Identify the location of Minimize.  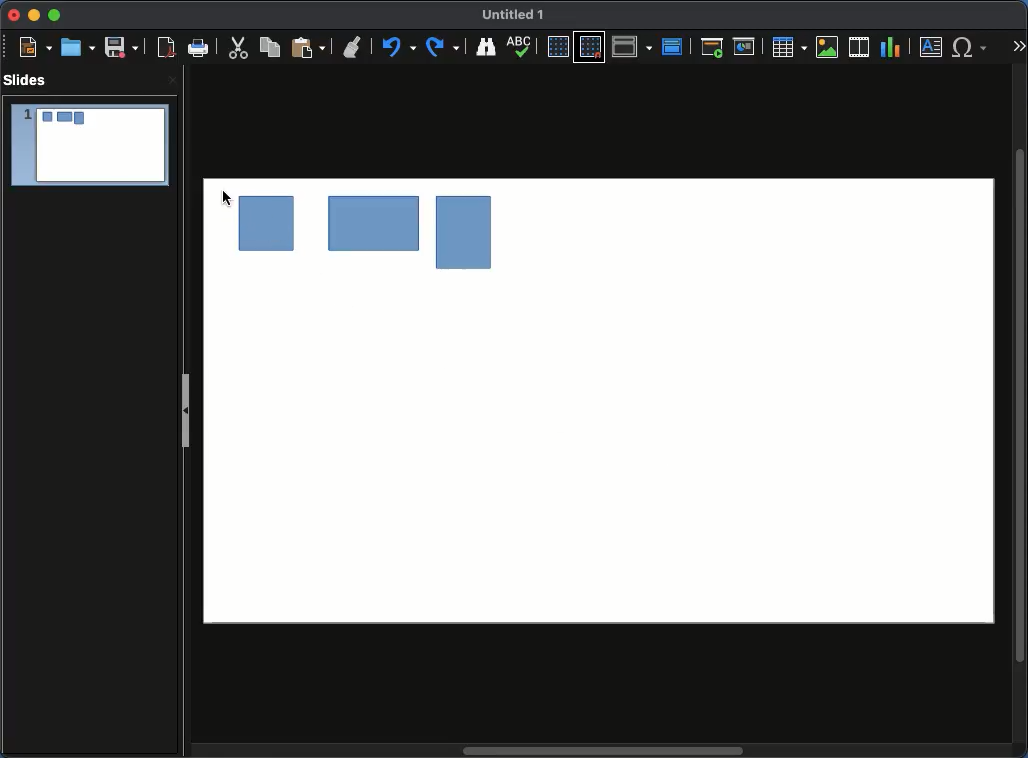
(33, 16).